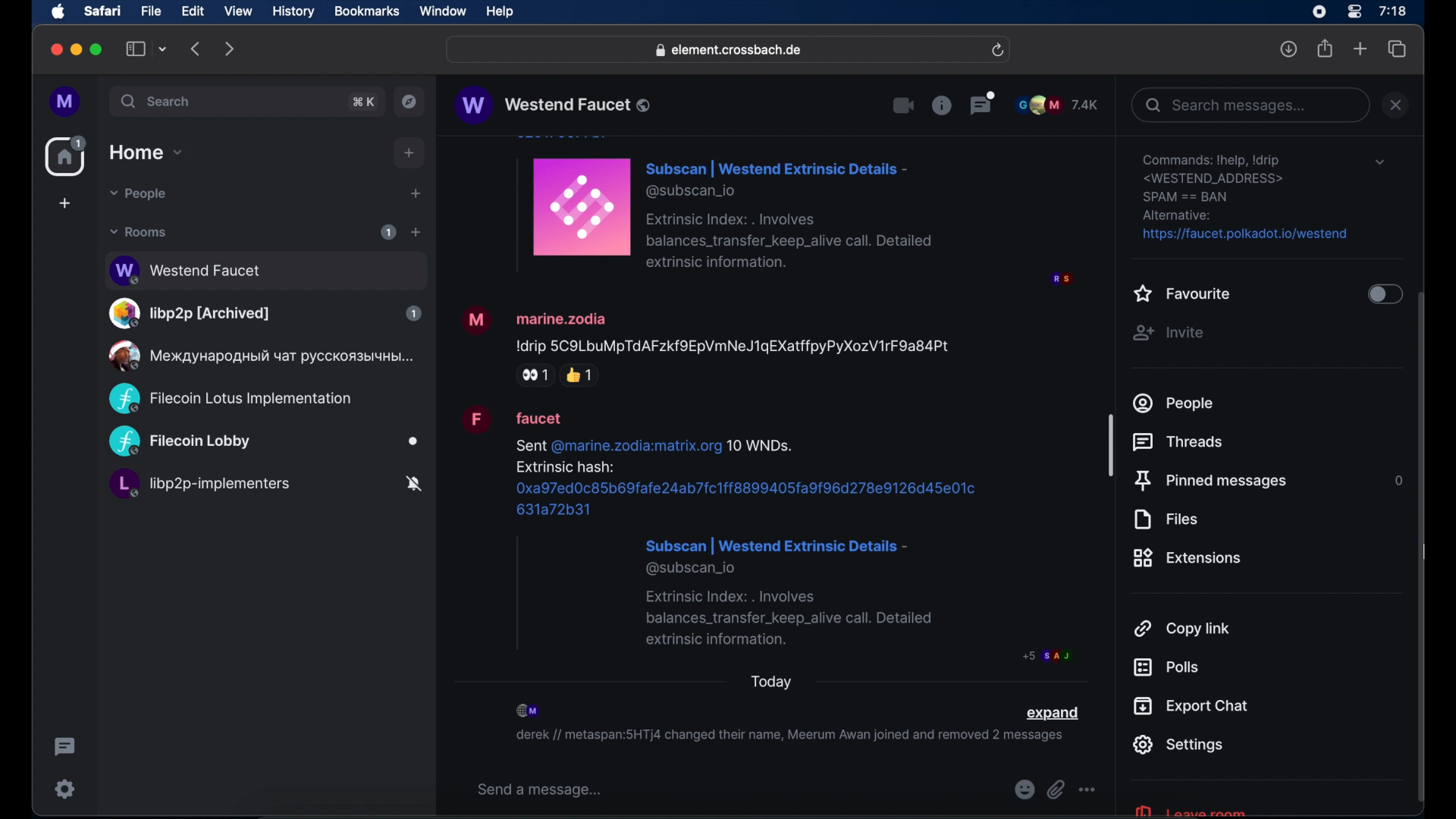 The height and width of the screenshot is (819, 1456). I want to click on 1, so click(388, 232).